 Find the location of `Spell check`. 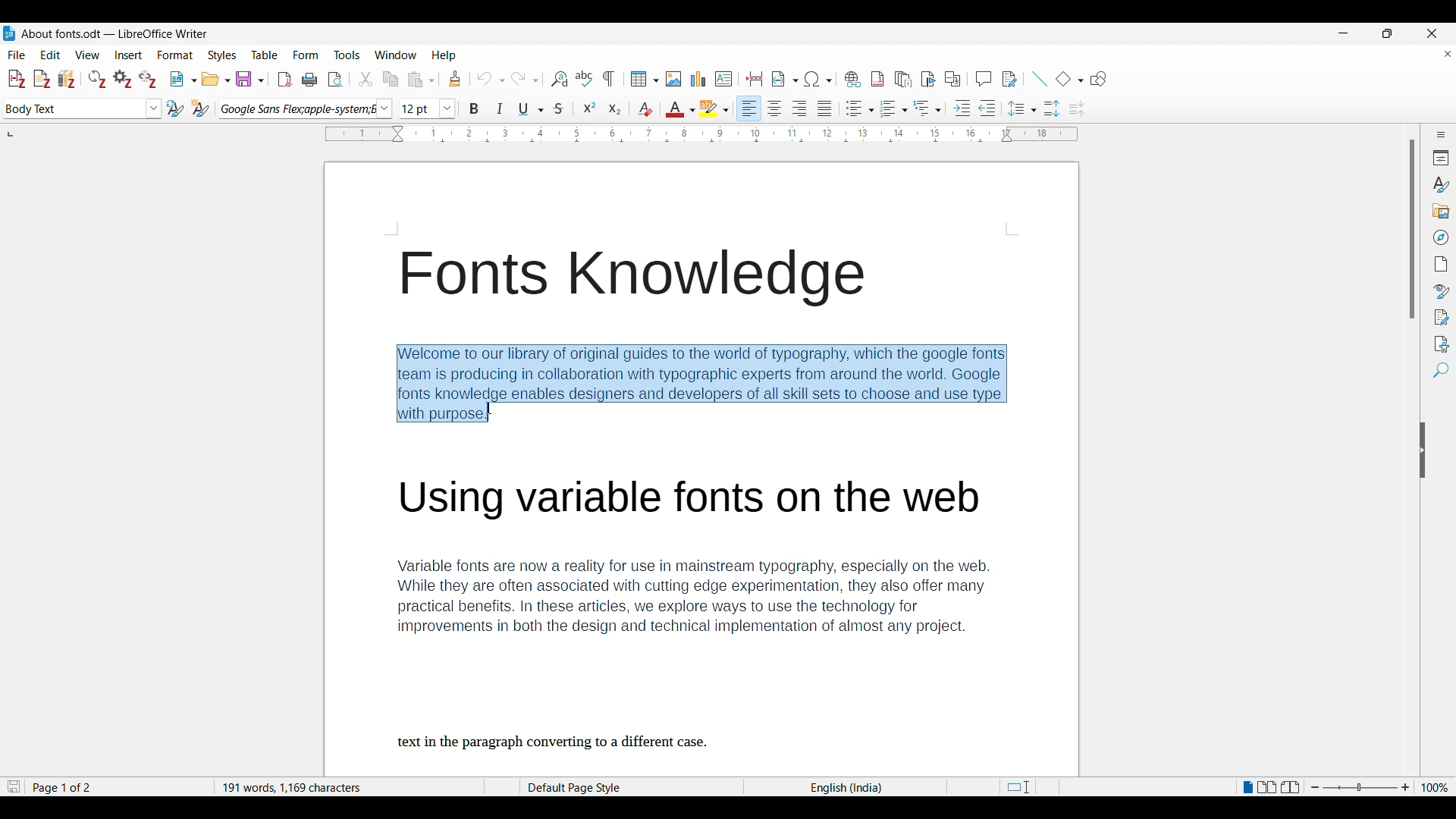

Spell check is located at coordinates (584, 79).